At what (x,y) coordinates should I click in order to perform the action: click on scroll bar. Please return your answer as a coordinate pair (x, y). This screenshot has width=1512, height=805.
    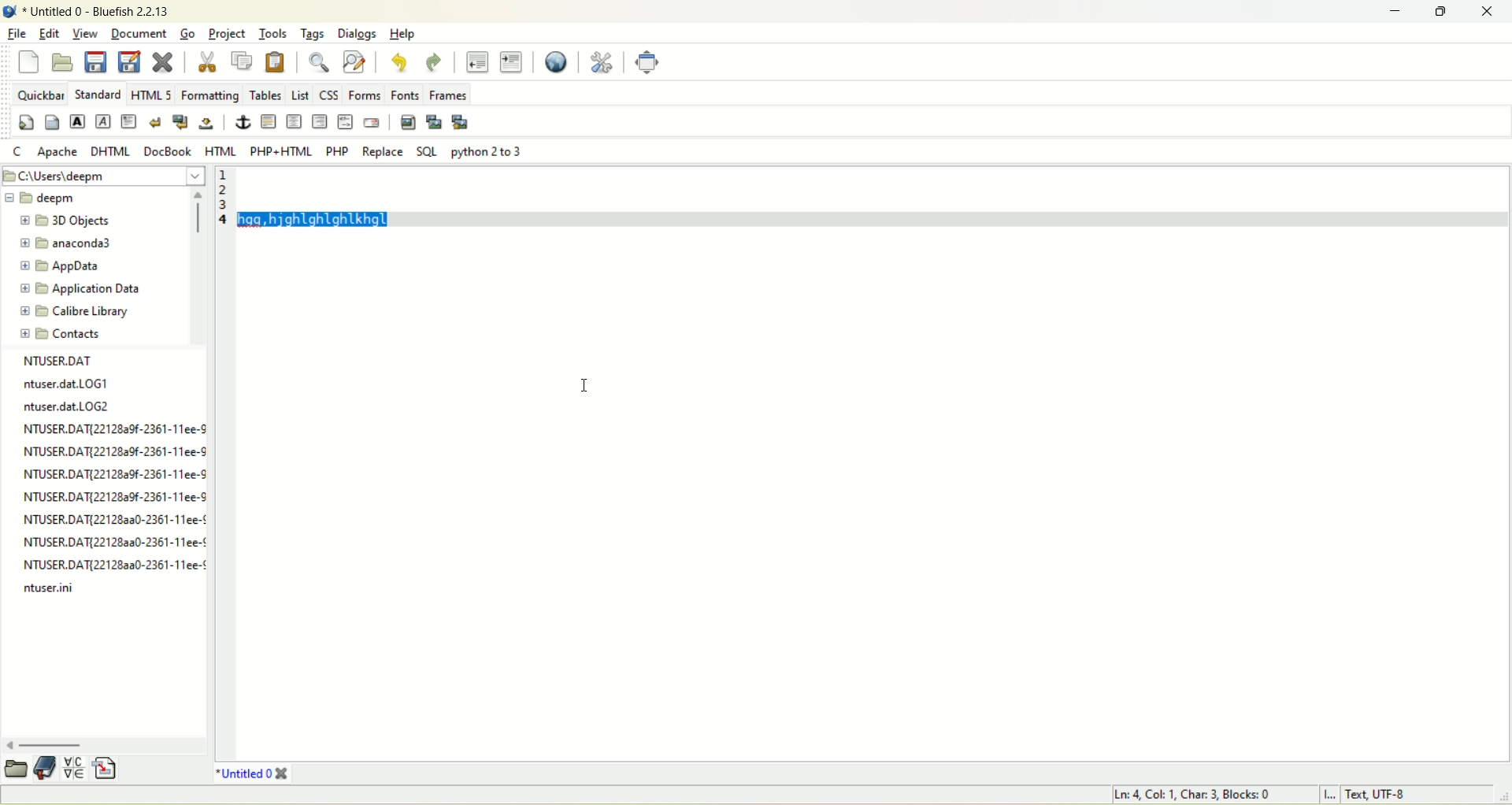
    Looking at the image, I should click on (104, 744).